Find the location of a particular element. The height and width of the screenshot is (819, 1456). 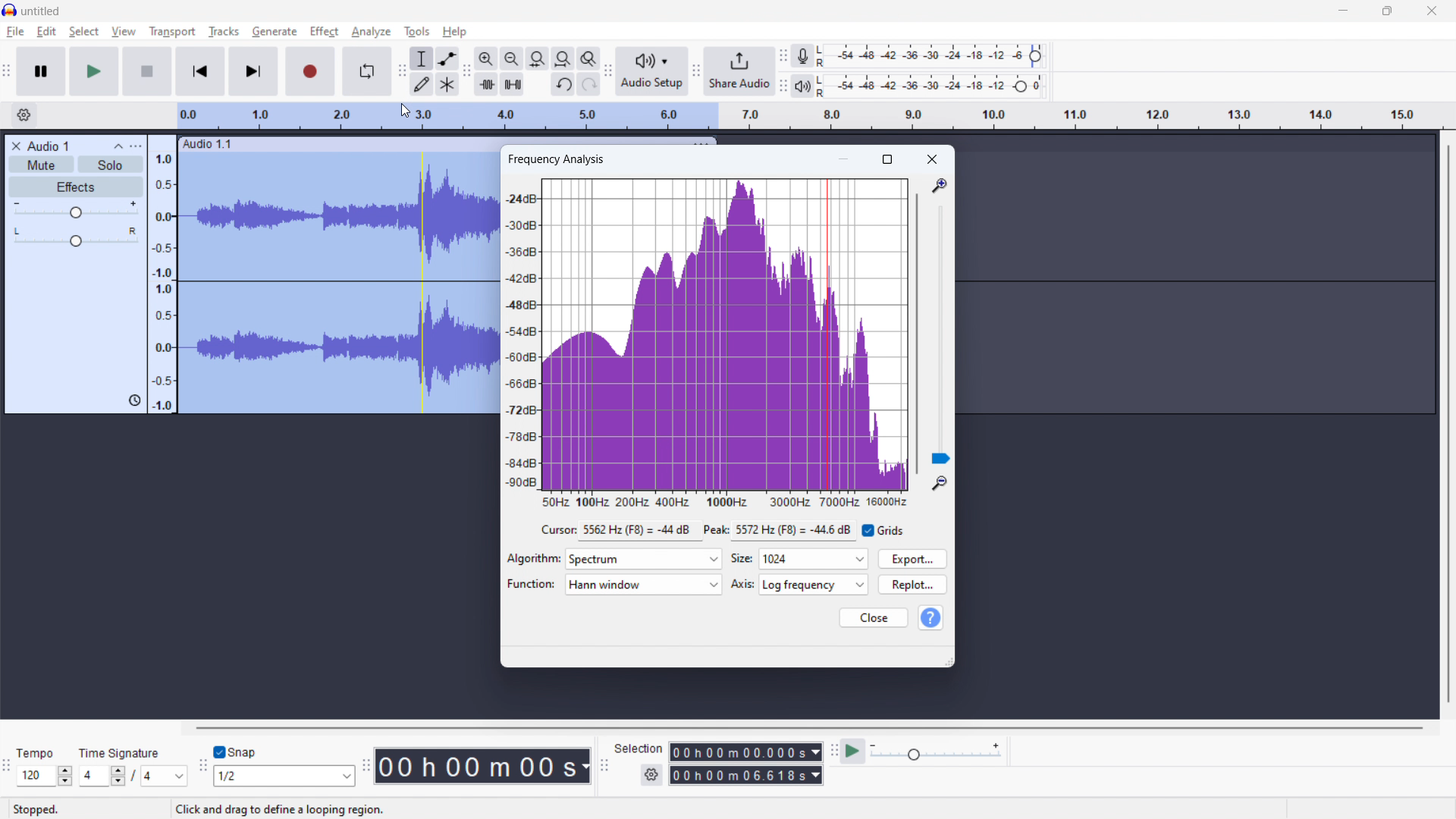

track control panel menu is located at coordinates (136, 146).